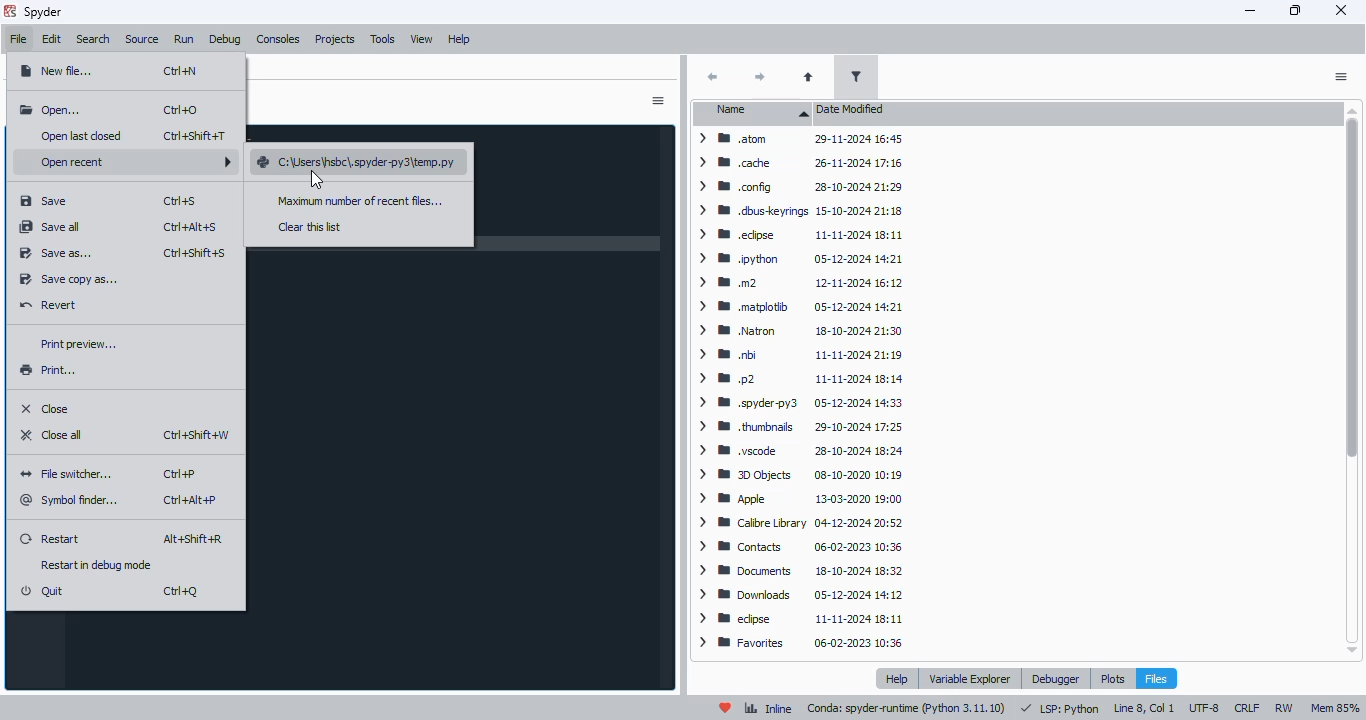 The width and height of the screenshot is (1366, 720). I want to click on projects, so click(334, 40).